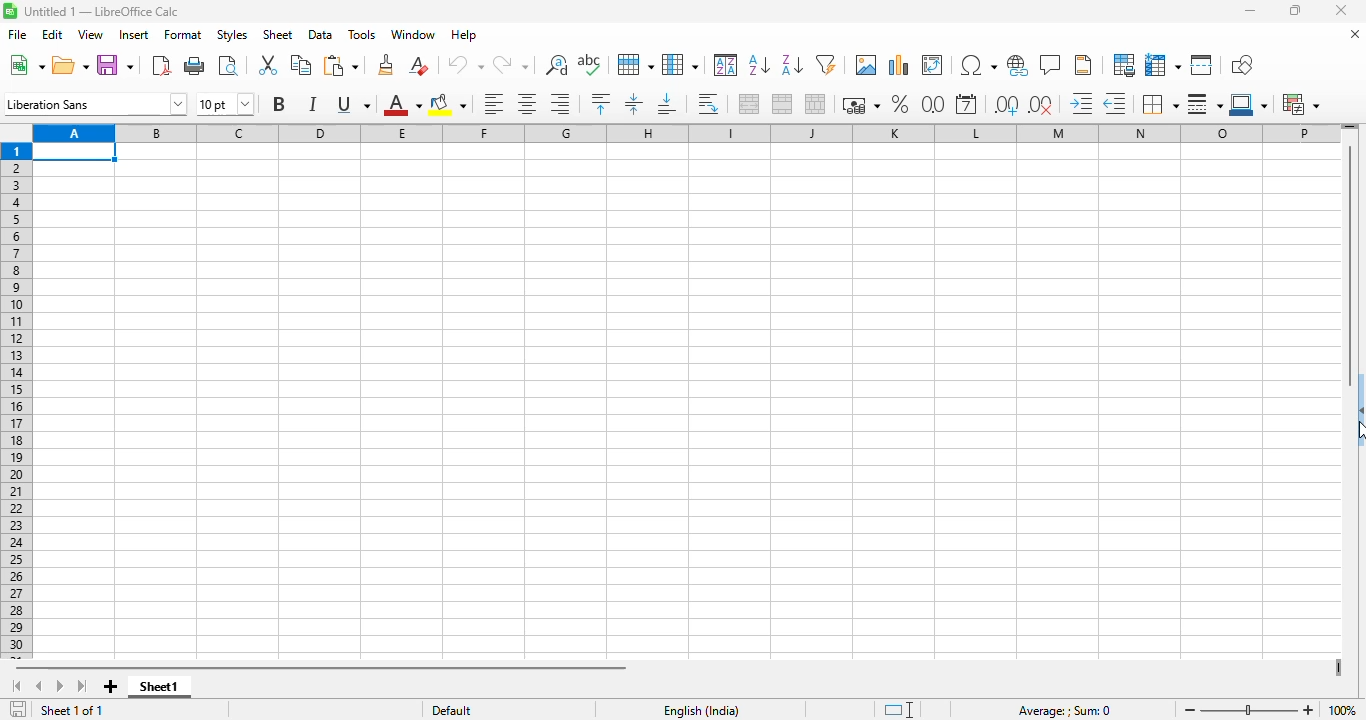  Describe the element at coordinates (600, 103) in the screenshot. I see `align top` at that location.